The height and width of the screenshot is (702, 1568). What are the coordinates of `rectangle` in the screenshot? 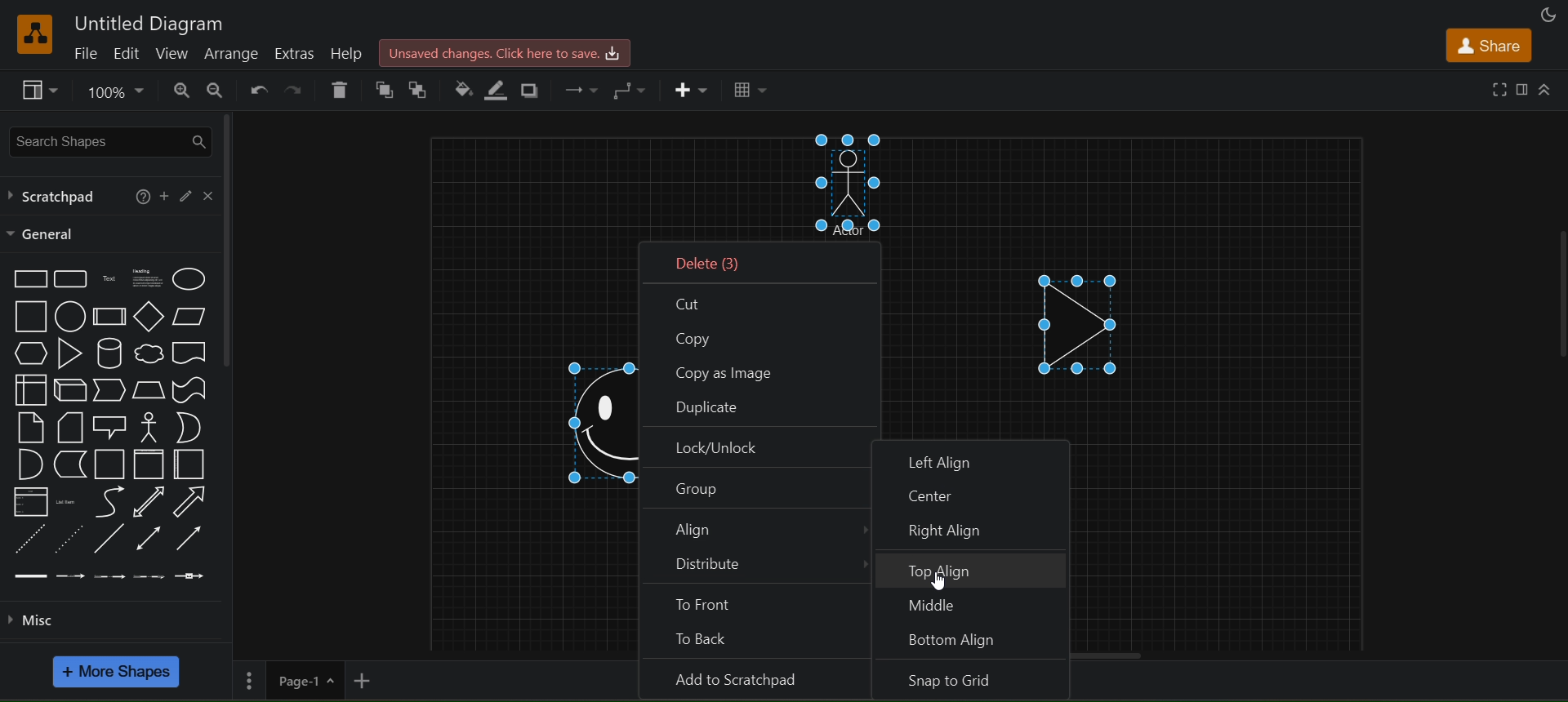 It's located at (28, 280).